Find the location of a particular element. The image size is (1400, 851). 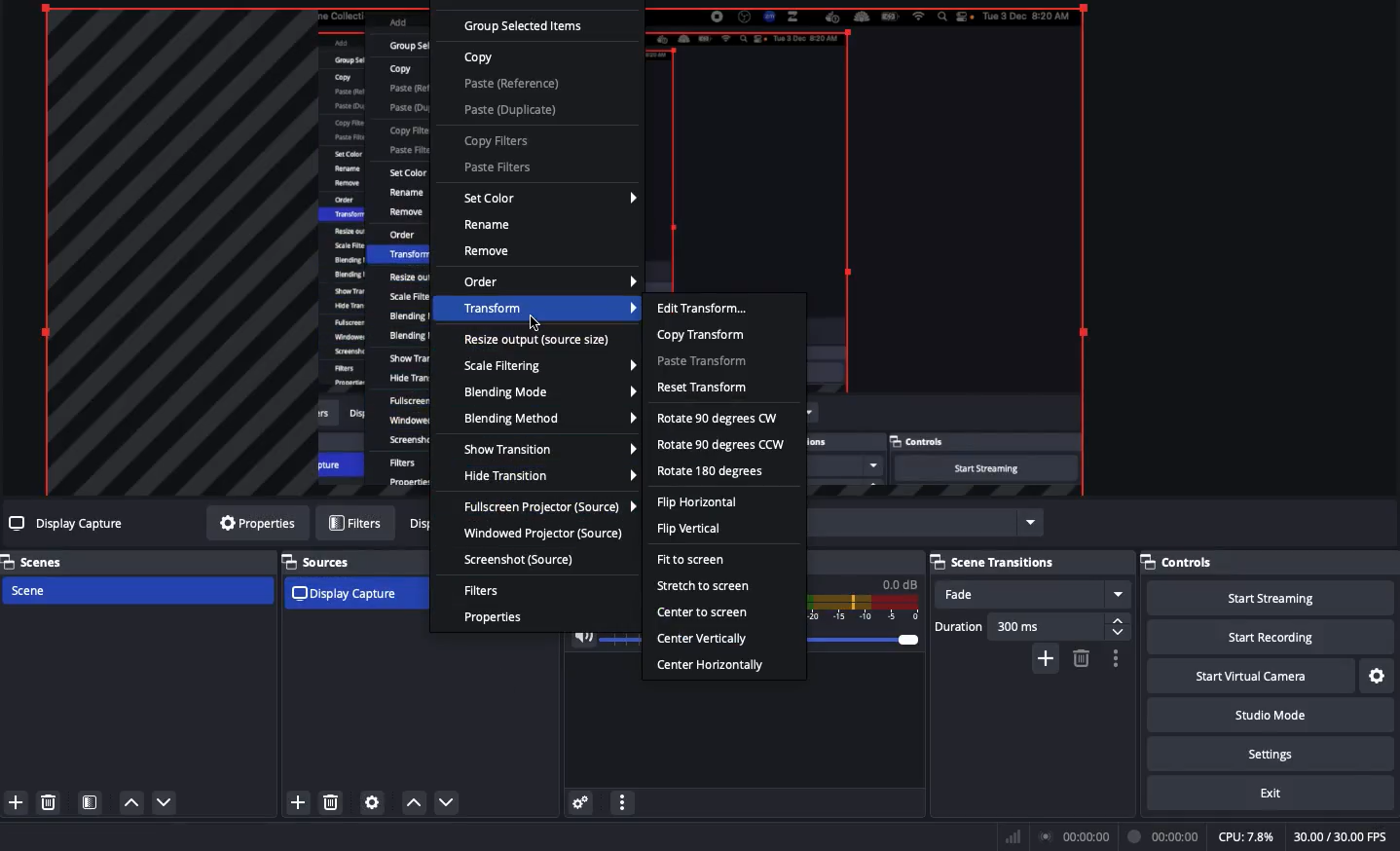

Remove is located at coordinates (490, 252).